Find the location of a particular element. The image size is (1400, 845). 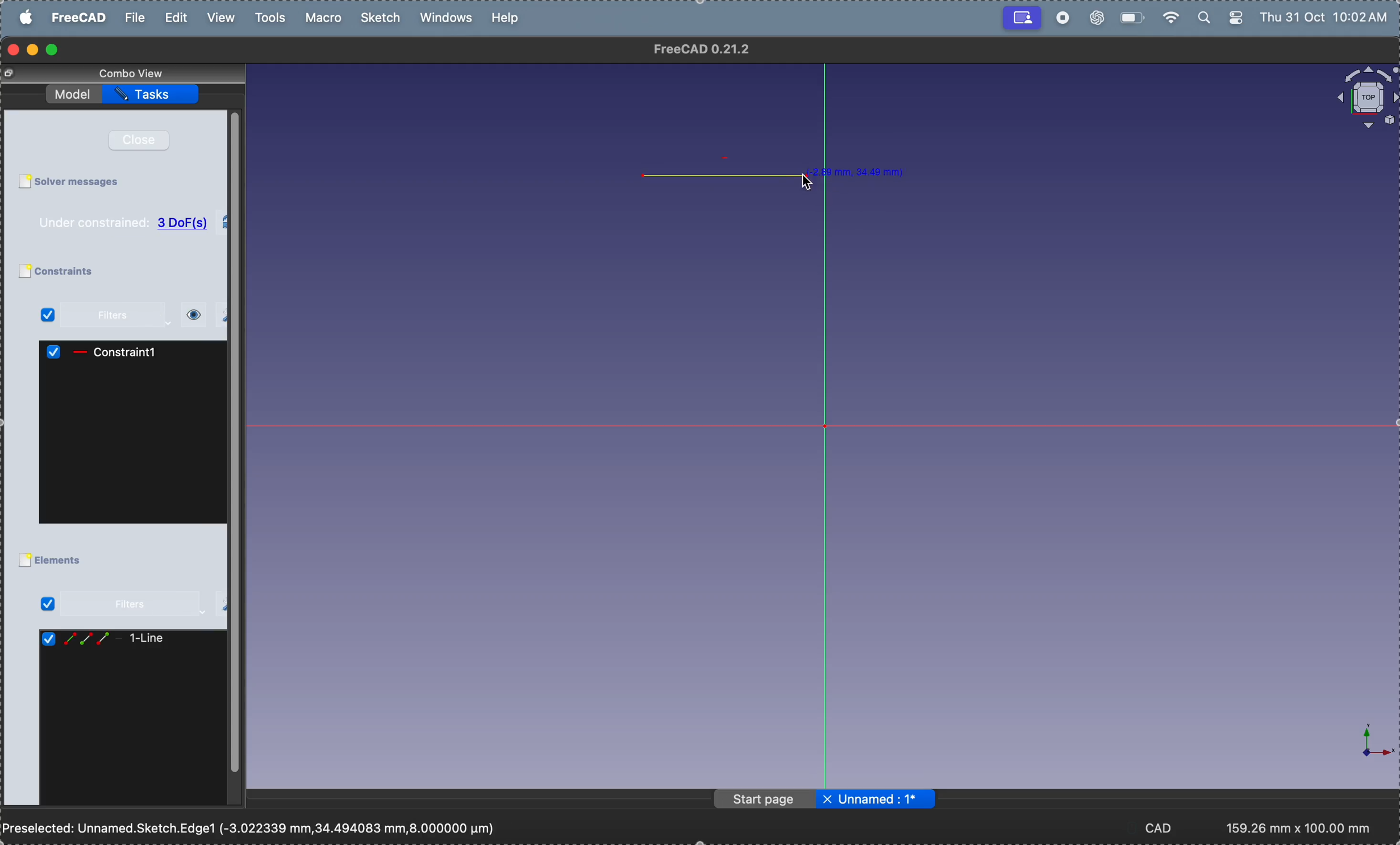

close is located at coordinates (143, 140).